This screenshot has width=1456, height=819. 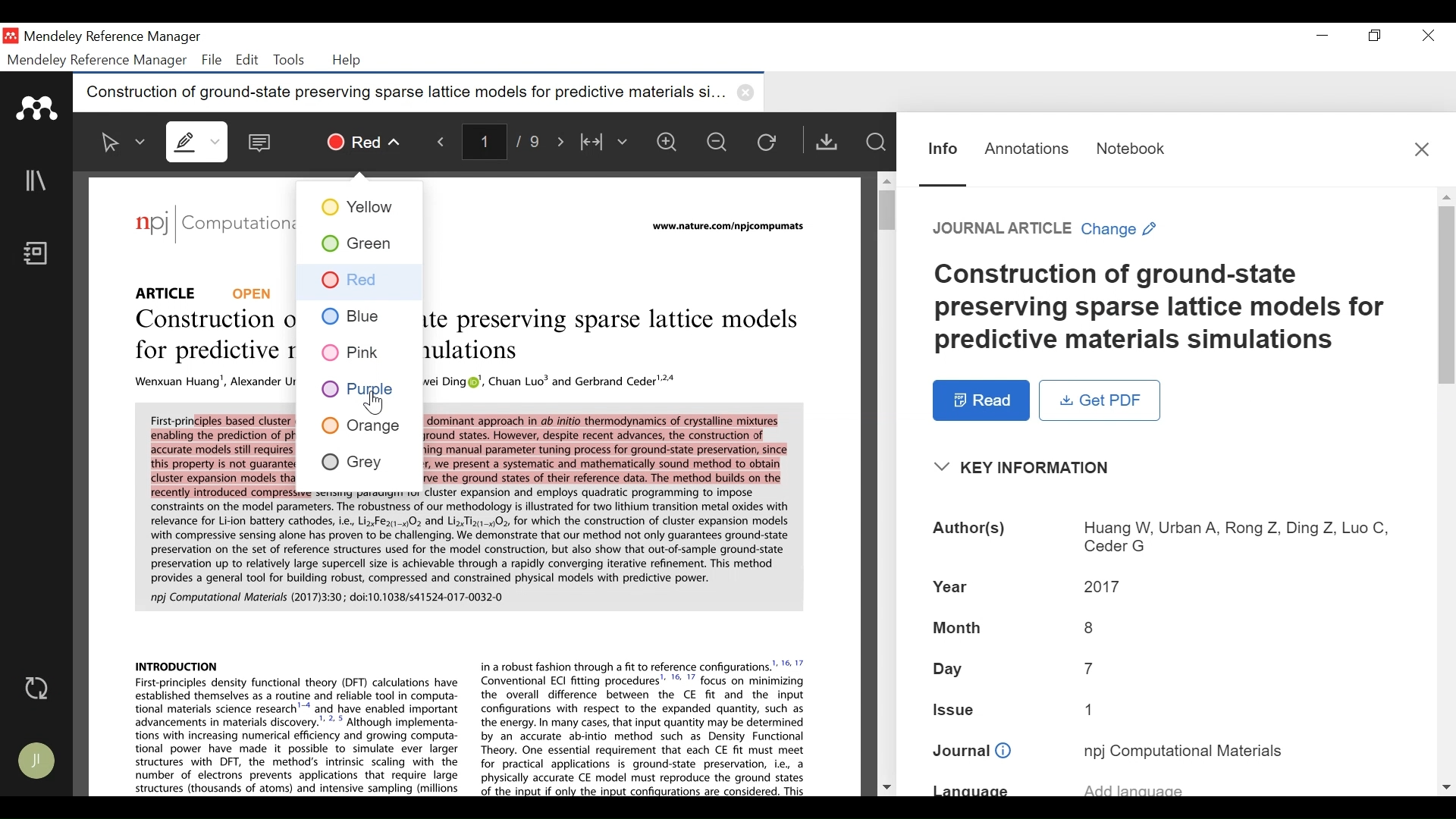 What do you see at coordinates (1247, 785) in the screenshot?
I see `add language ` at bounding box center [1247, 785].